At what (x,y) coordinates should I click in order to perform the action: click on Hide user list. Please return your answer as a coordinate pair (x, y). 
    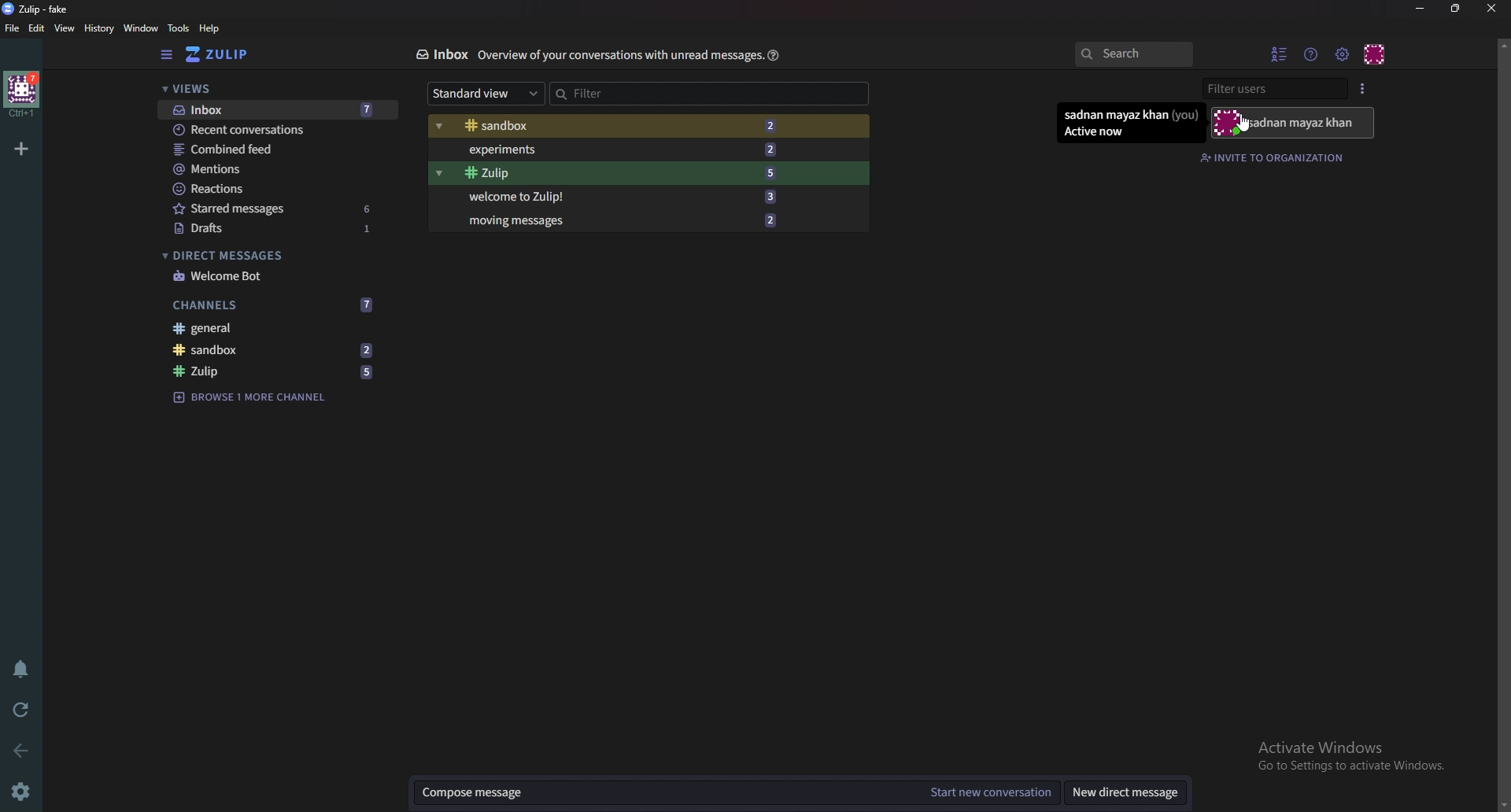
    Looking at the image, I should click on (1279, 54).